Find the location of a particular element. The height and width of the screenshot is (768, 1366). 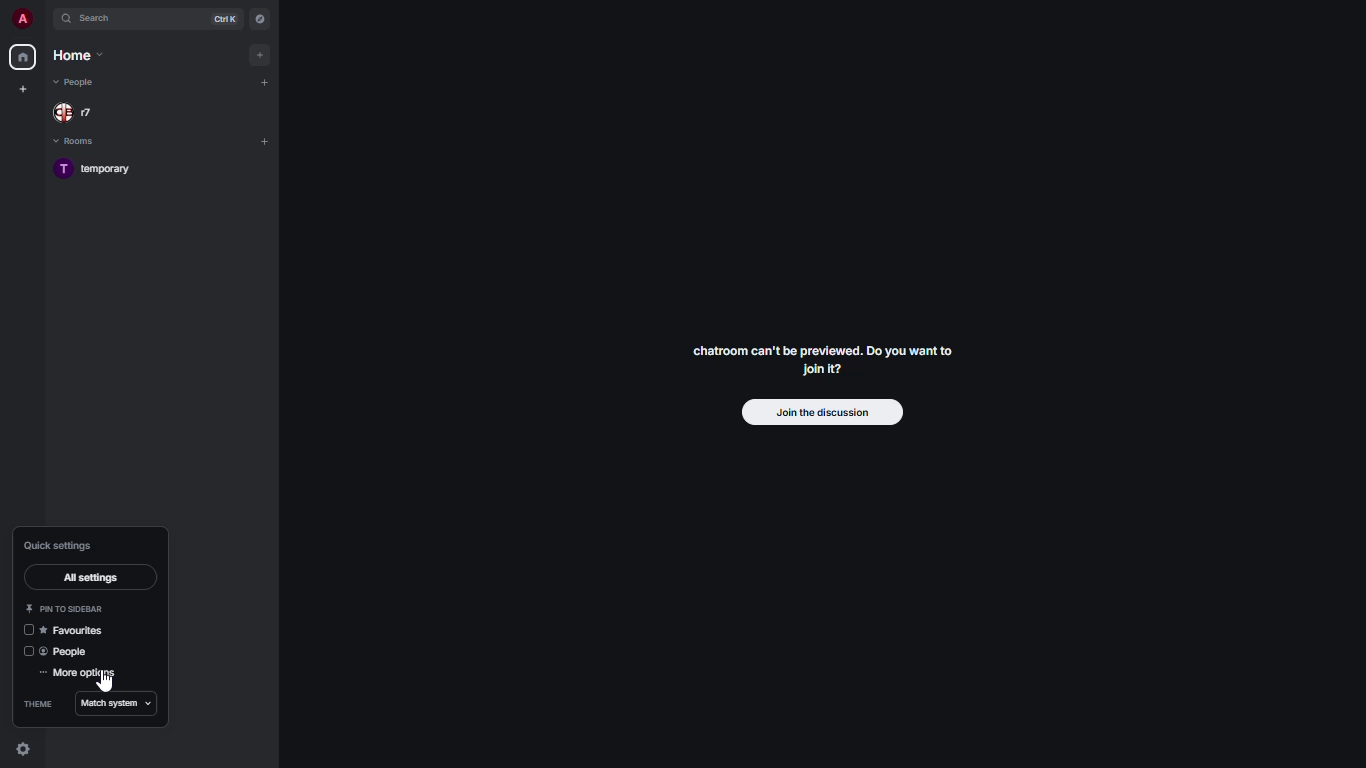

disabled is located at coordinates (30, 629).